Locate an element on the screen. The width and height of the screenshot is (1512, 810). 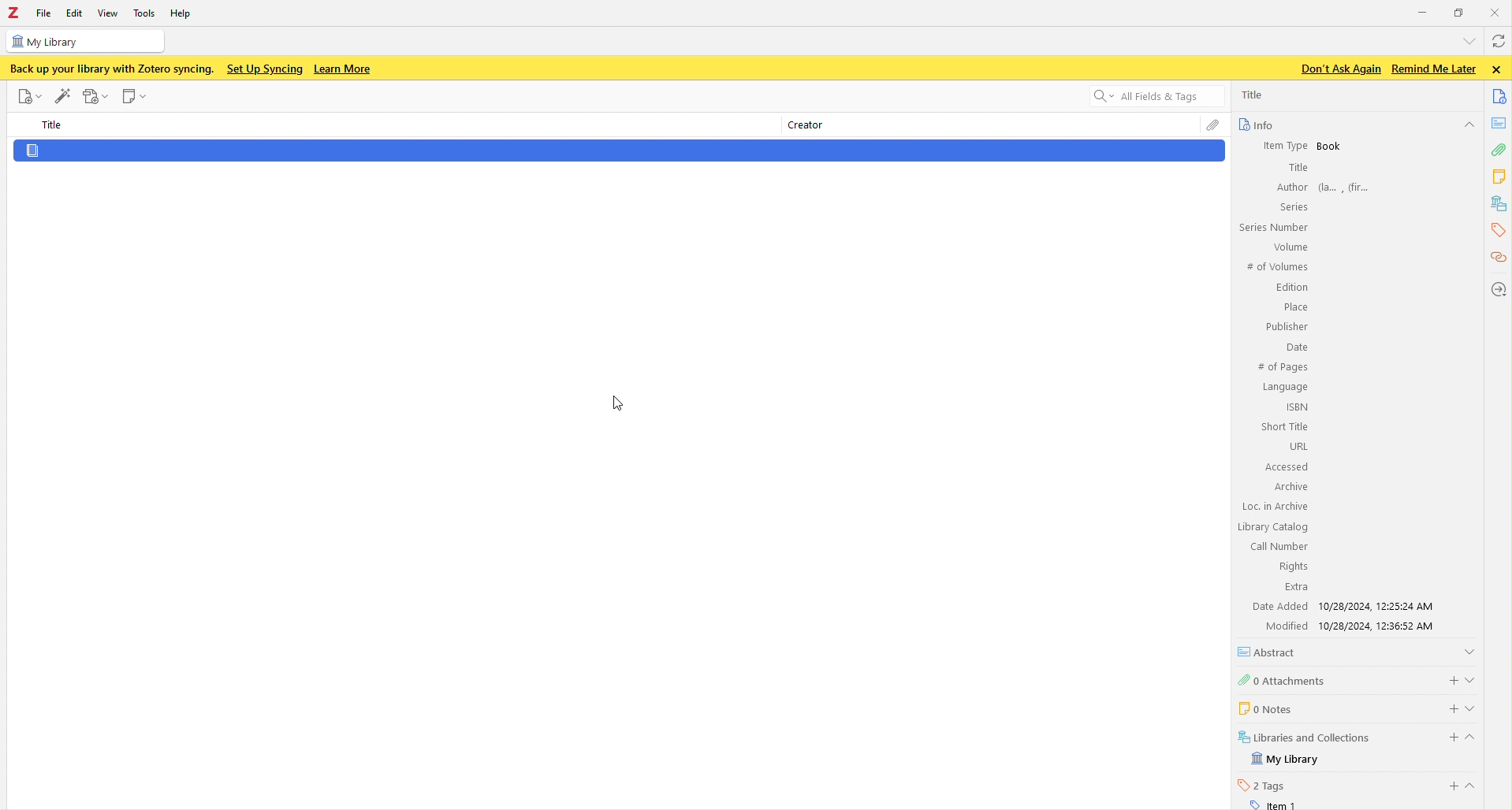
libraries is located at coordinates (1499, 204).